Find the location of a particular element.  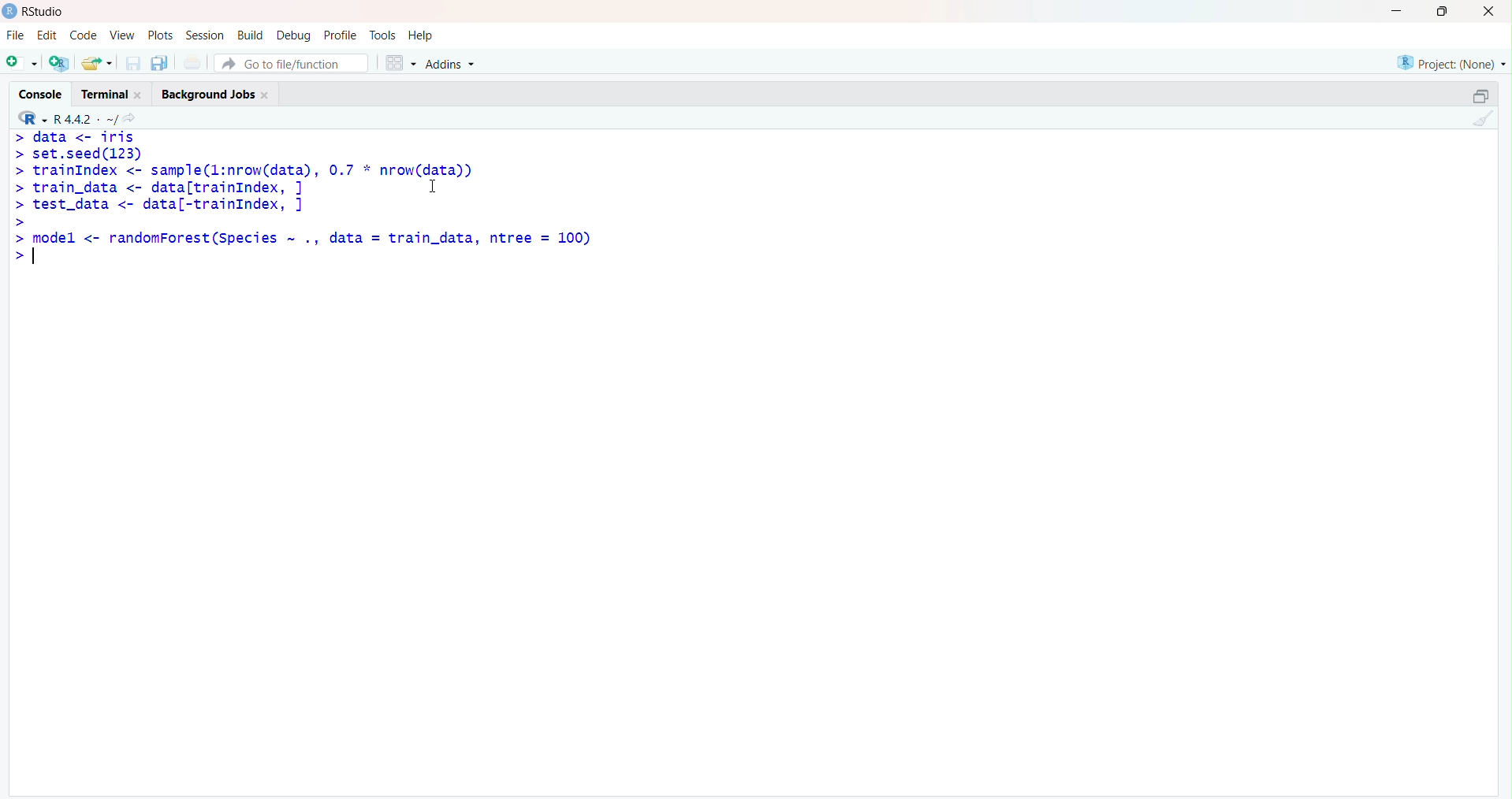

Maximize/ Restore is located at coordinates (1478, 95).